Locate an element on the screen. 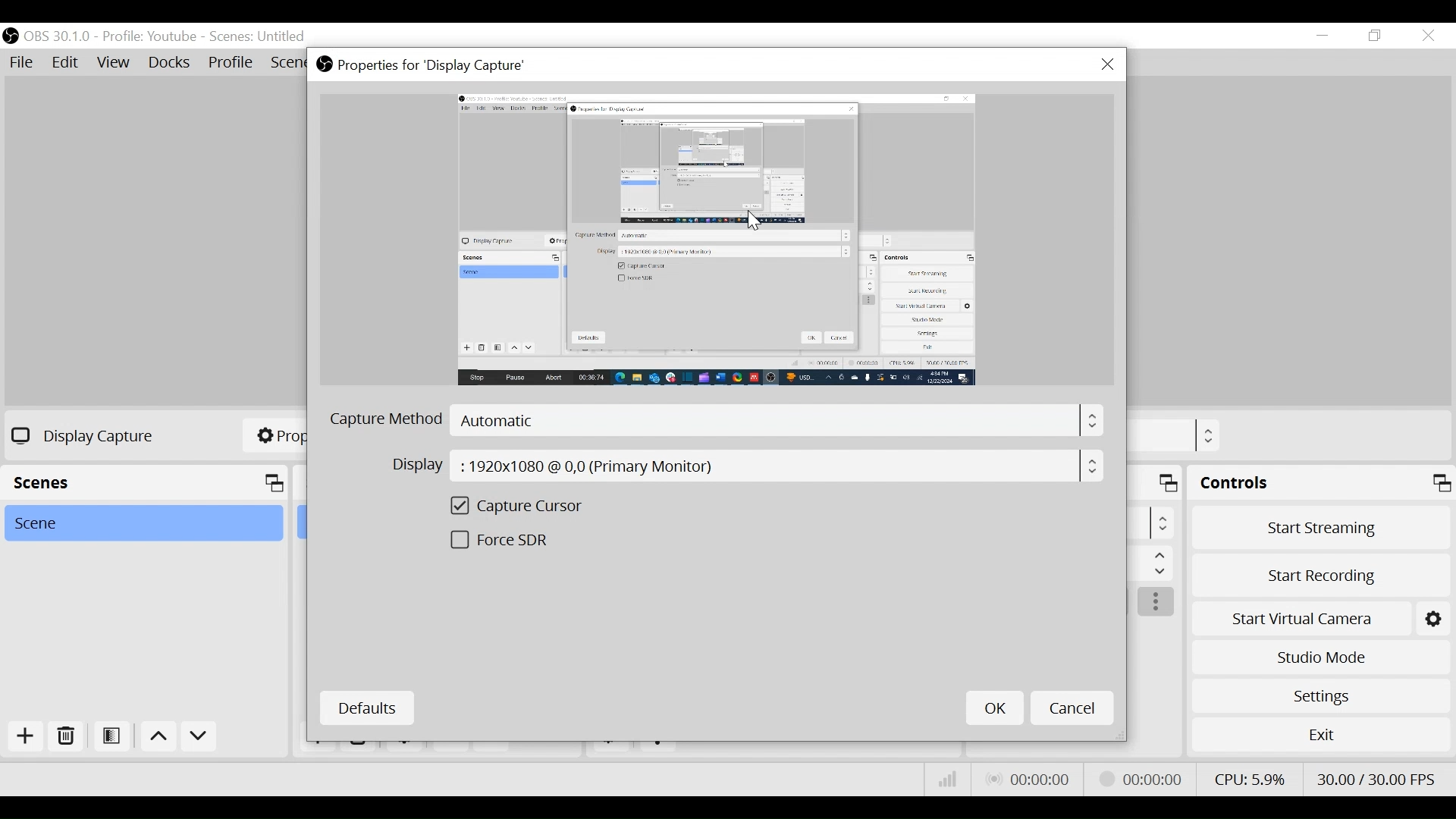  File is located at coordinates (22, 62).